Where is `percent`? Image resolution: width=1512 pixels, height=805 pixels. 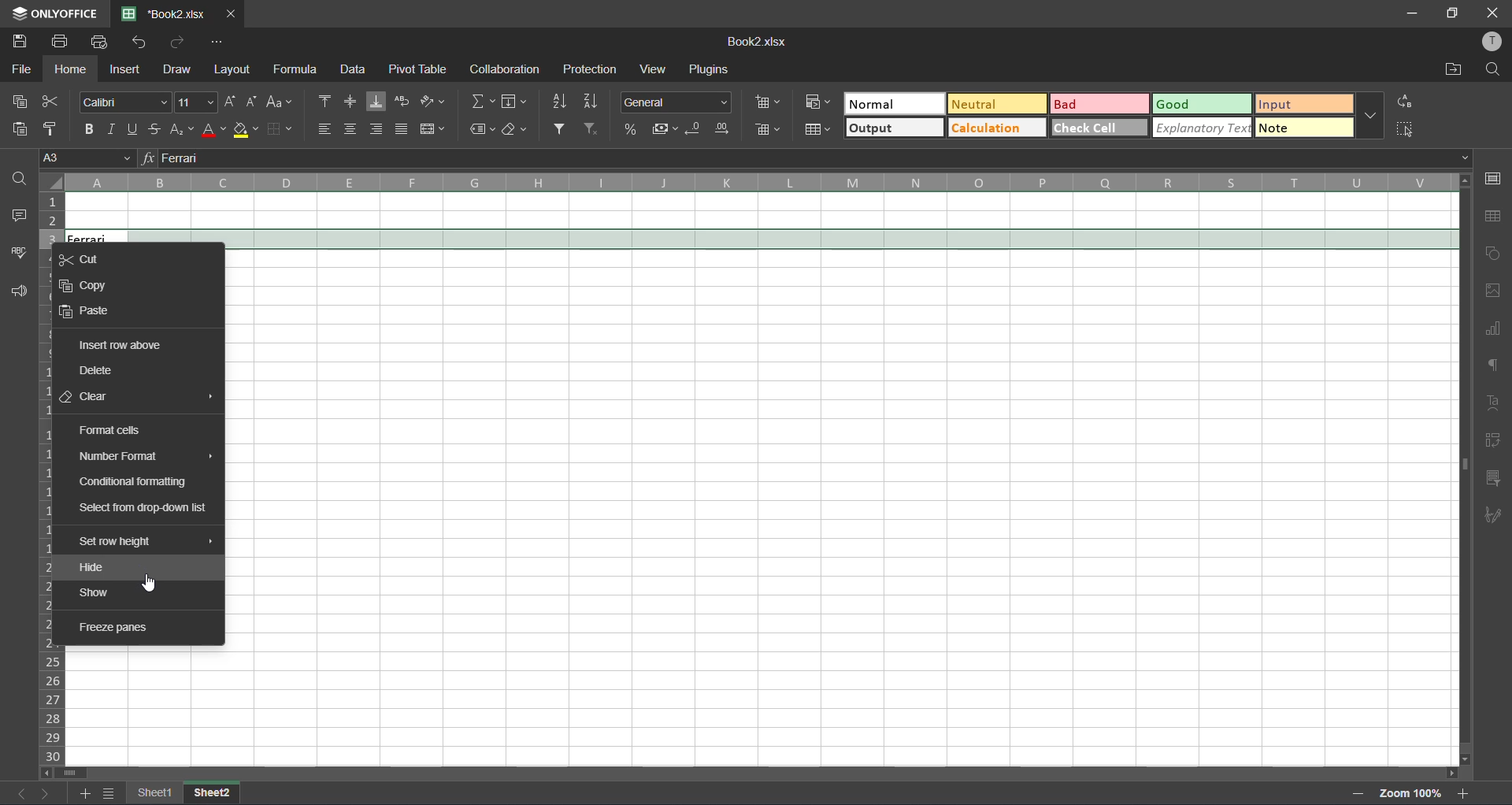
percent is located at coordinates (631, 128).